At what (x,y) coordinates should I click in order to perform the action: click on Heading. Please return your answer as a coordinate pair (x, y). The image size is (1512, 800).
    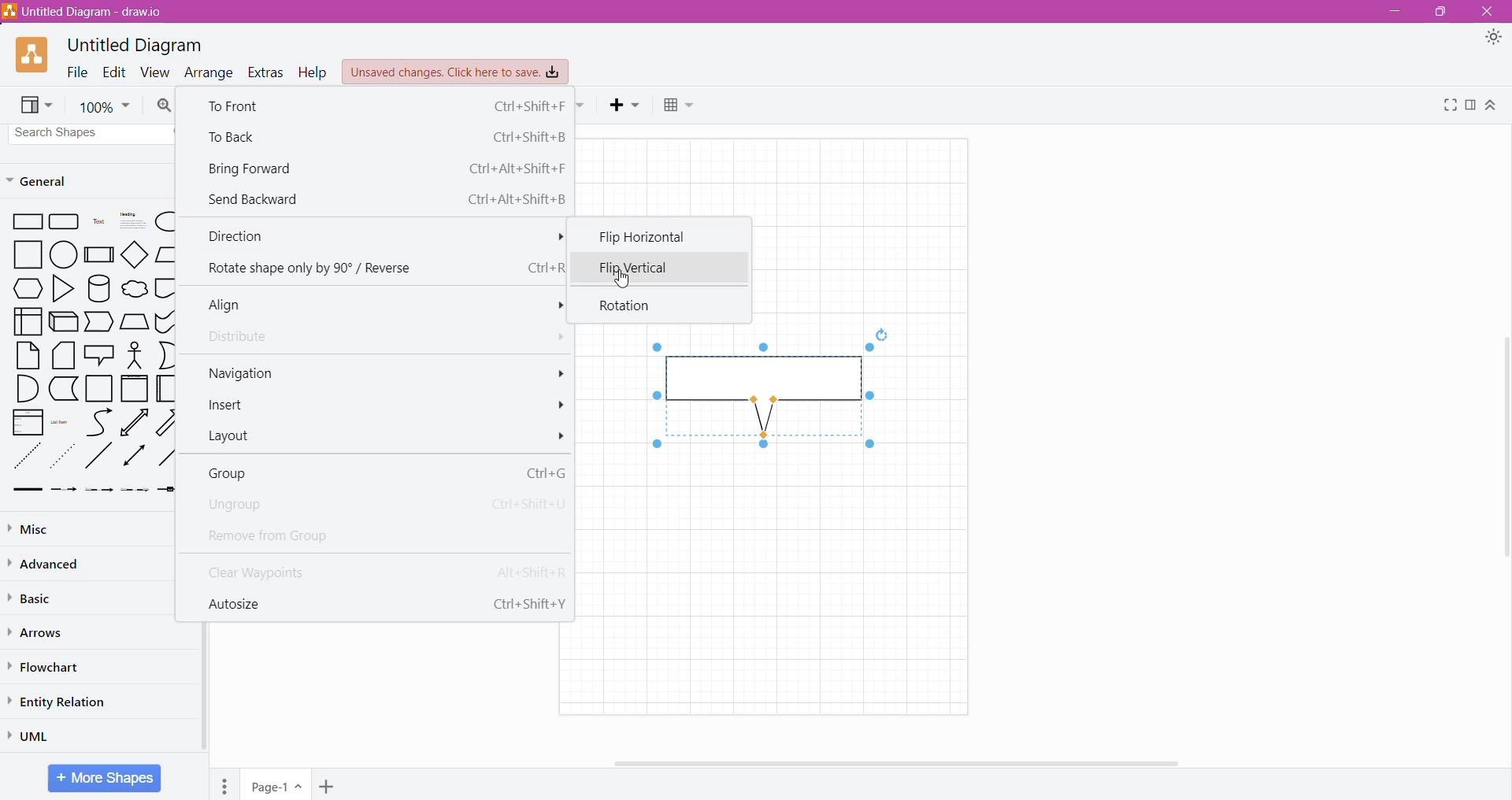
    Looking at the image, I should click on (130, 222).